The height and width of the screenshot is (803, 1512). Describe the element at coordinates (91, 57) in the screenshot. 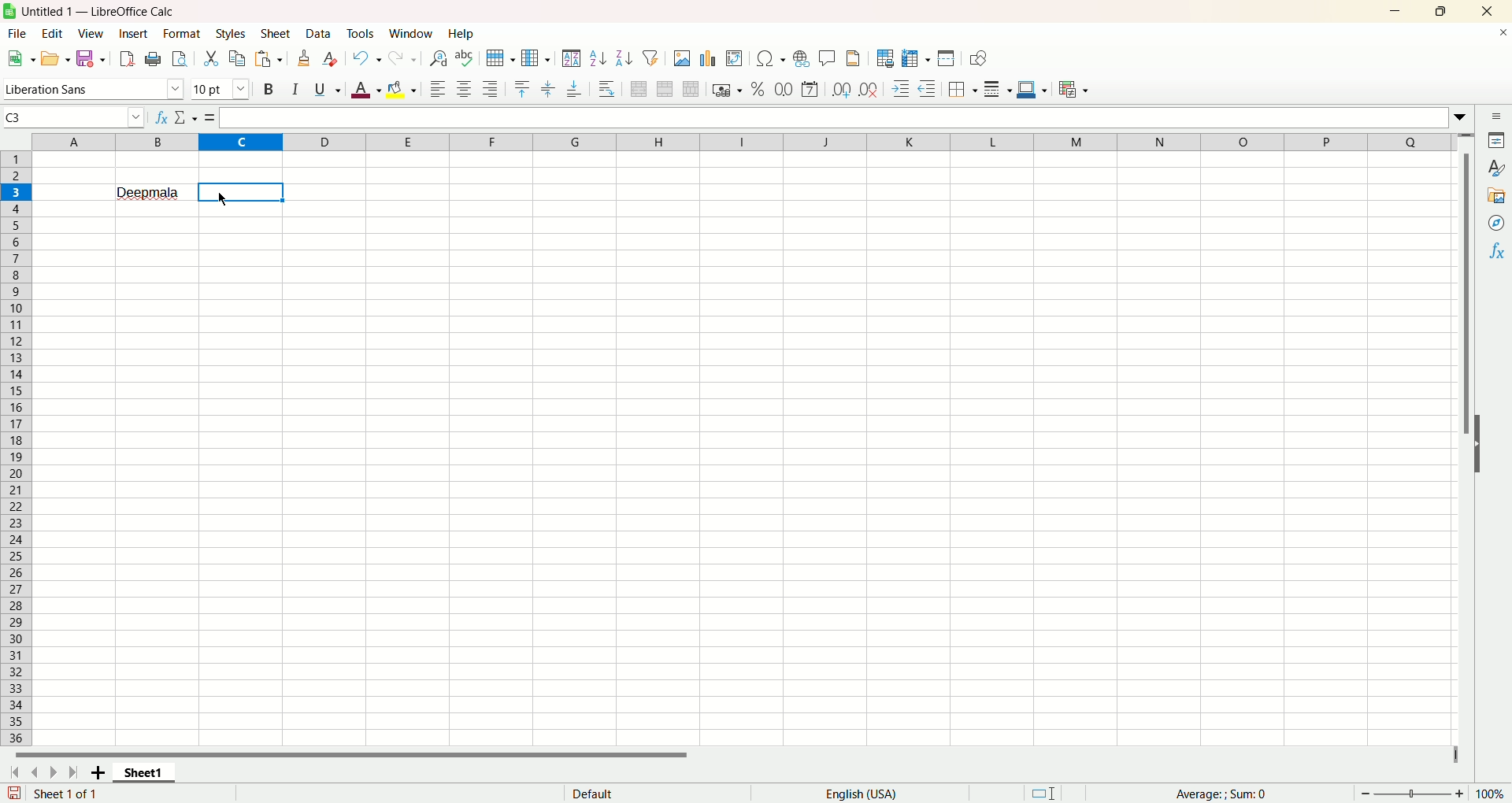

I see `Save` at that location.